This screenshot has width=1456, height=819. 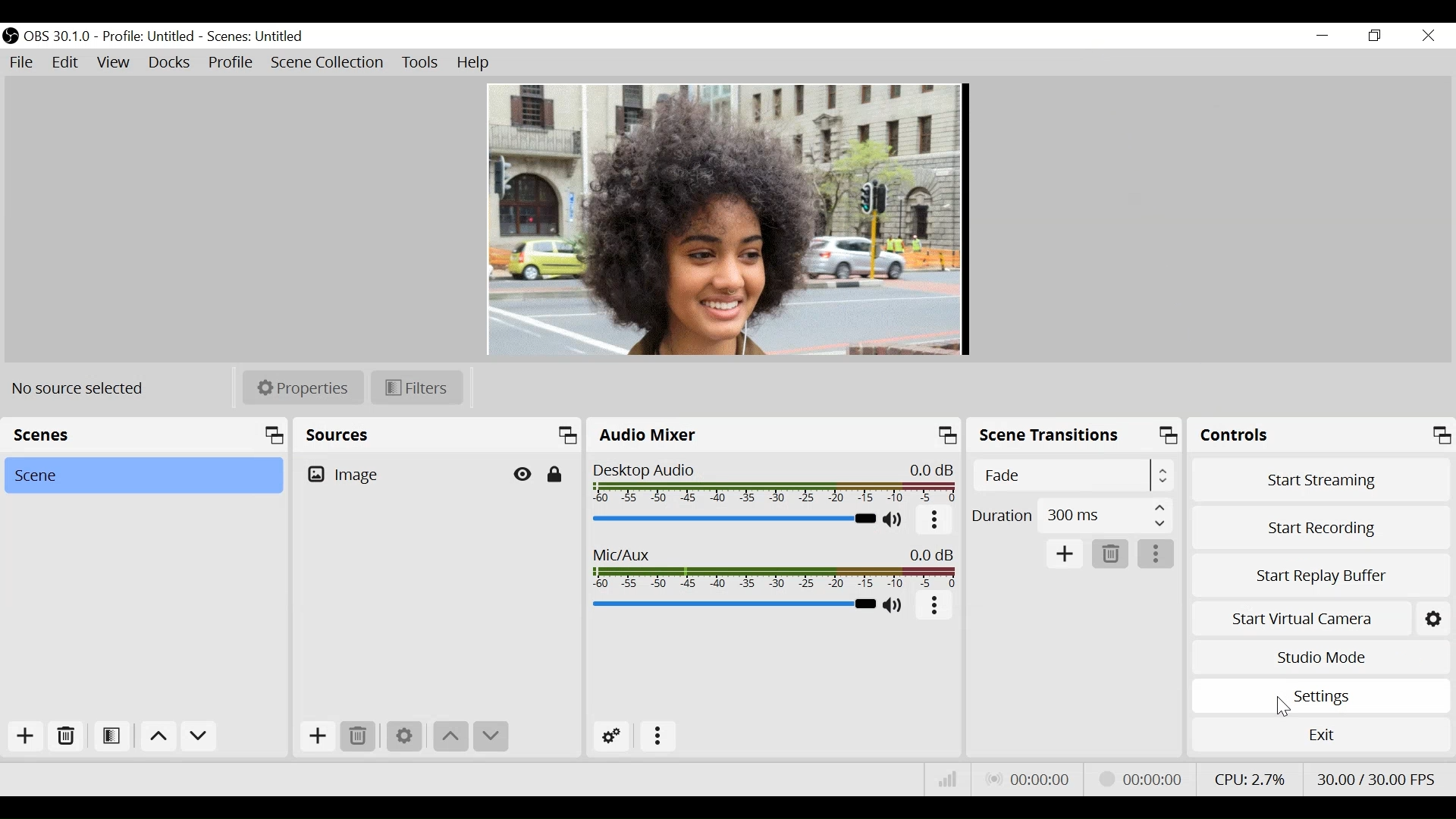 What do you see at coordinates (1377, 777) in the screenshot?
I see `30.00/ 30.00 FPS` at bounding box center [1377, 777].